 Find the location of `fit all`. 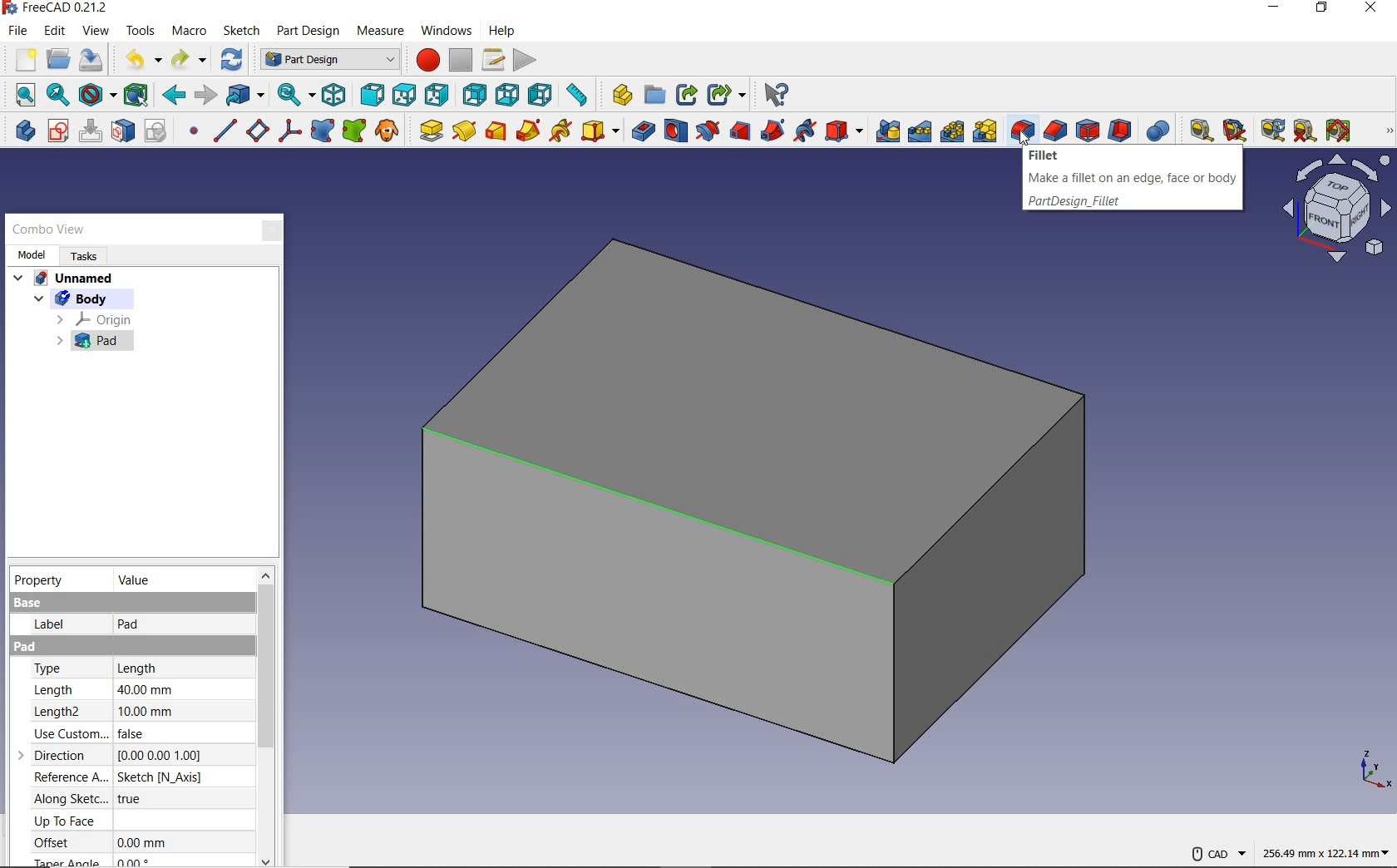

fit all is located at coordinates (21, 94).